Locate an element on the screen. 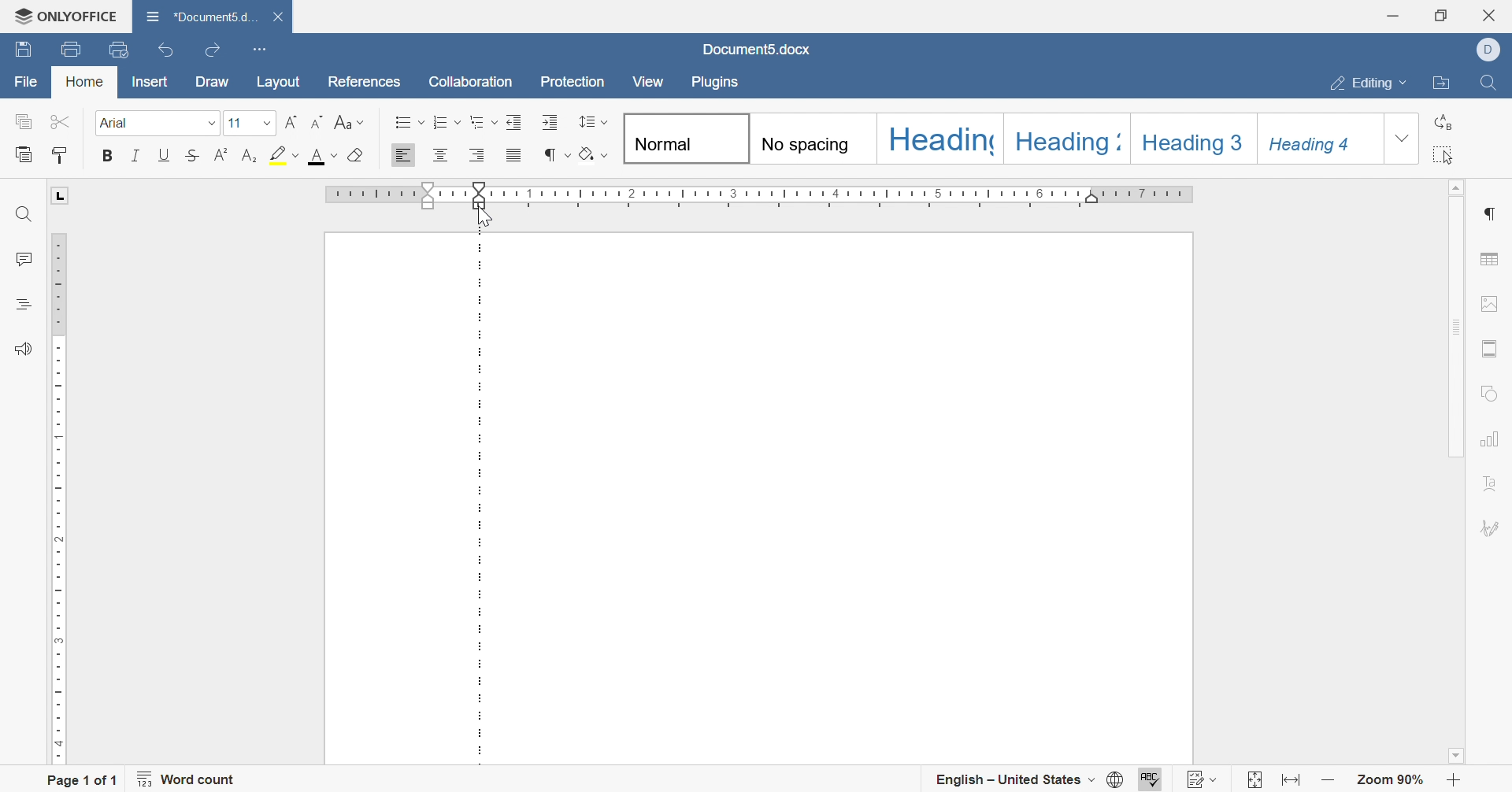  nonprinting characters is located at coordinates (554, 154).